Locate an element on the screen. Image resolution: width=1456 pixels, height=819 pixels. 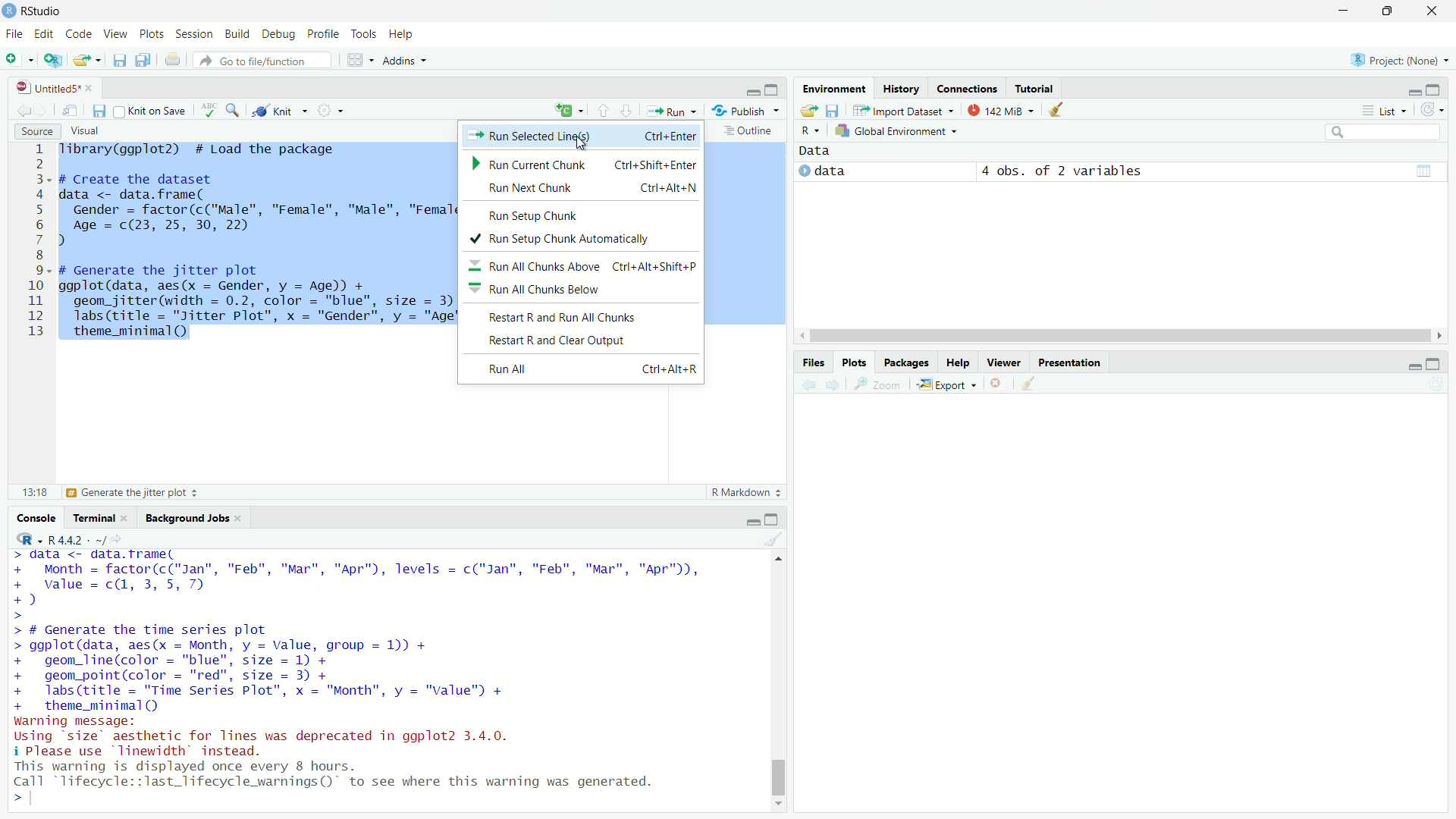
4 obs. of 2 variables is located at coordinates (1062, 169).